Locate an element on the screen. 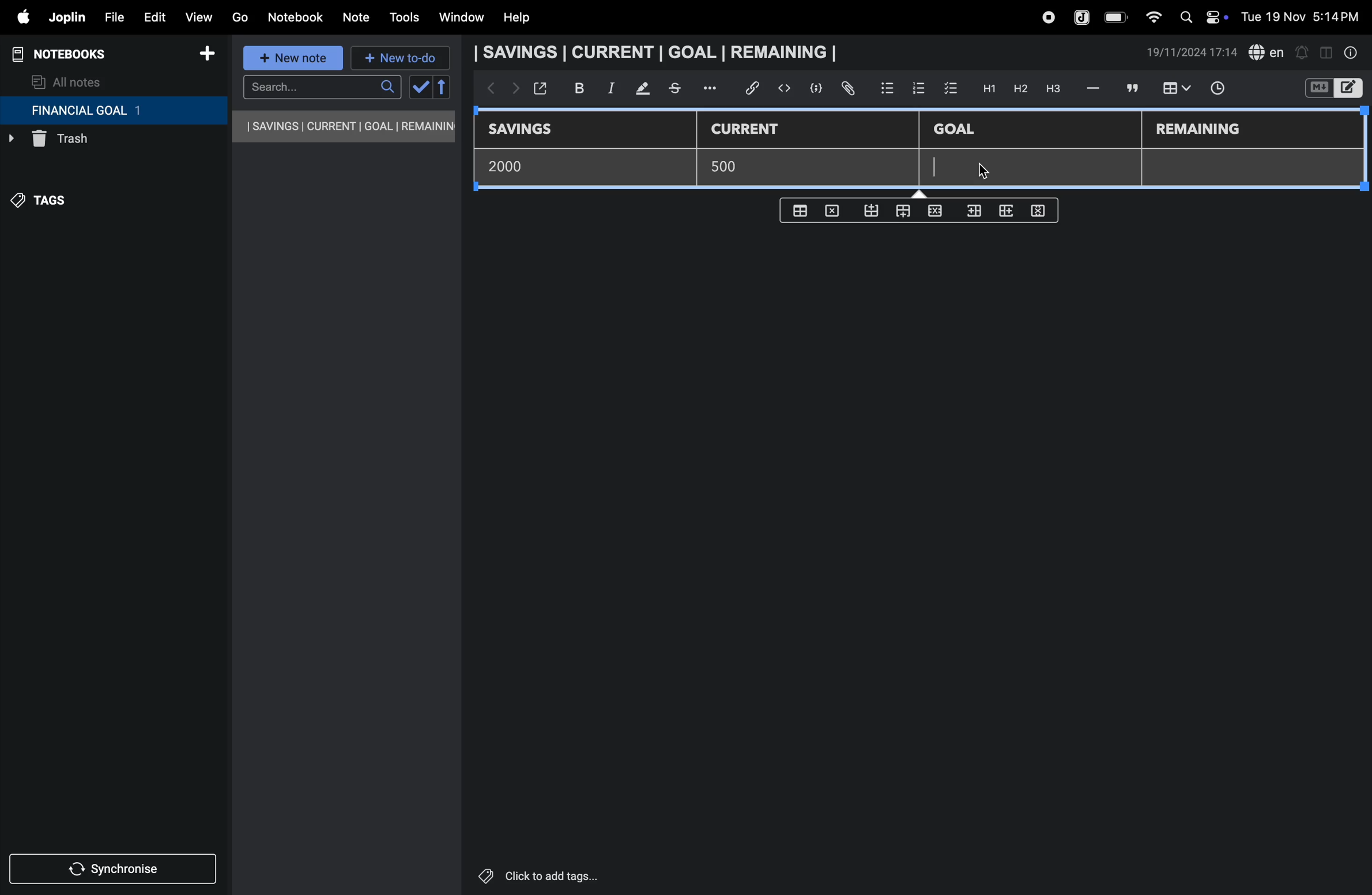 Image resolution: width=1372 pixels, height=895 pixels. trash is located at coordinates (89, 142).